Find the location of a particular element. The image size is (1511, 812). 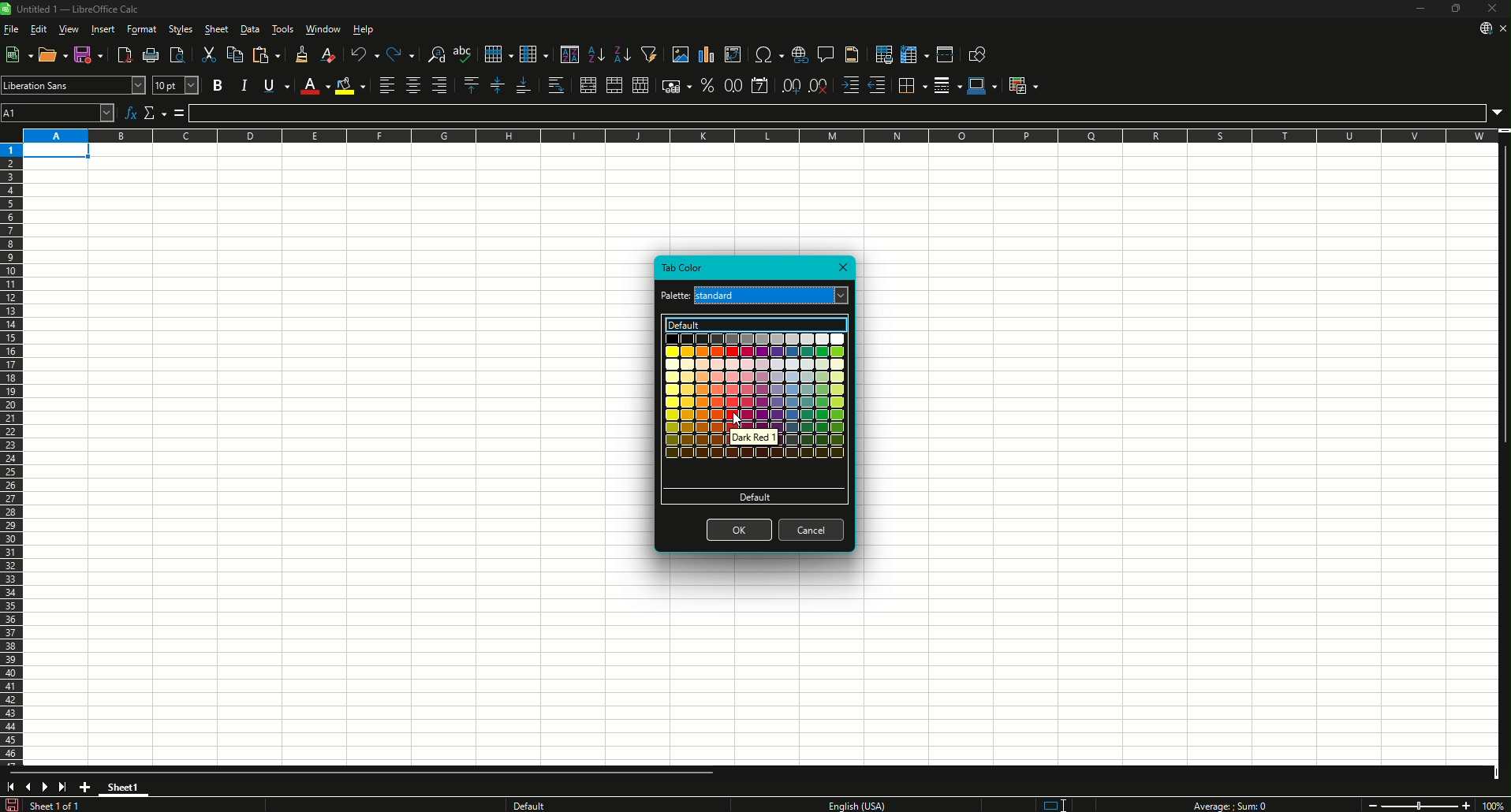

Align Center is located at coordinates (412, 85).